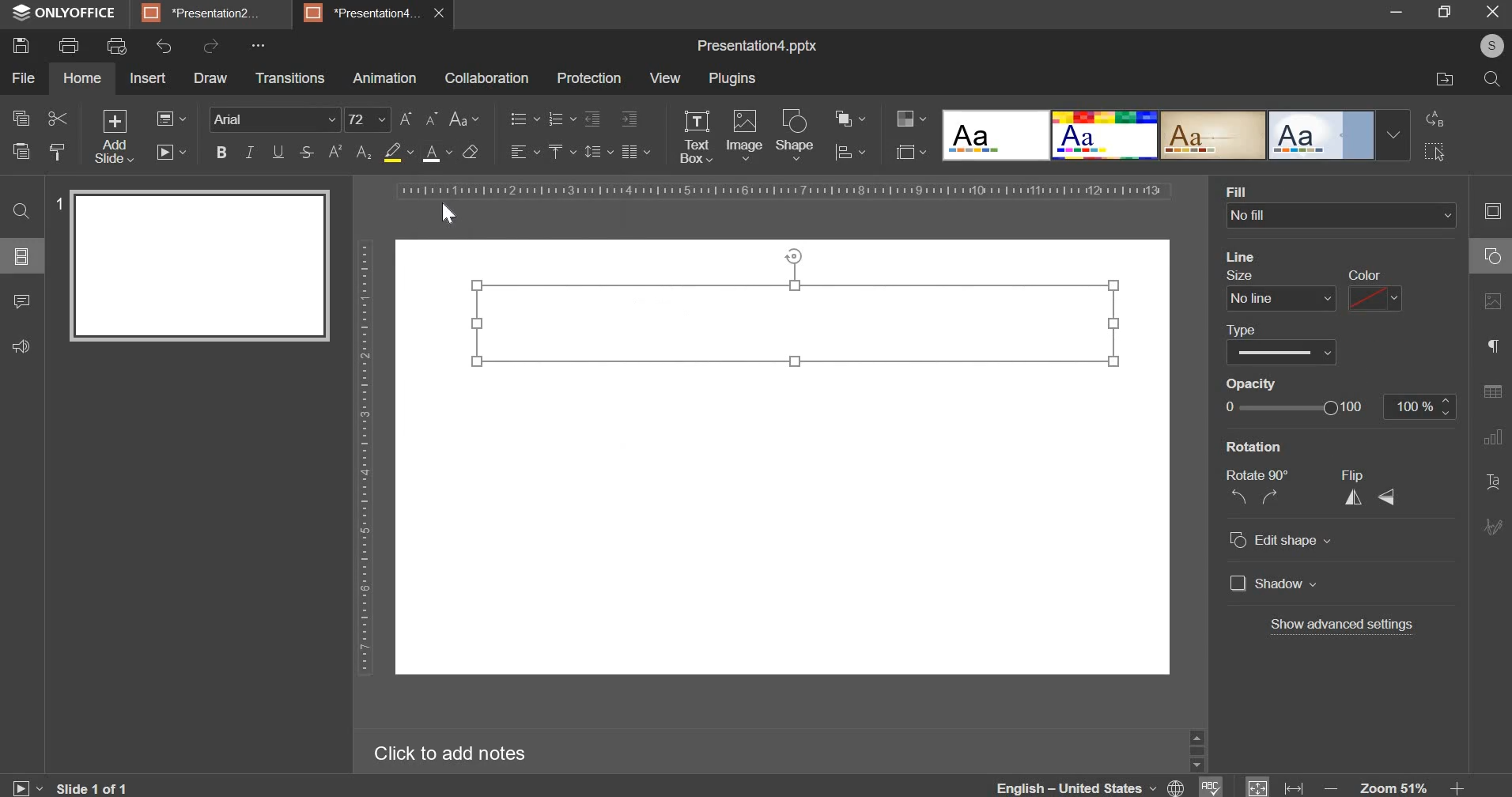 The height and width of the screenshot is (797, 1512). What do you see at coordinates (210, 15) in the screenshot?
I see `Presentation2` at bounding box center [210, 15].